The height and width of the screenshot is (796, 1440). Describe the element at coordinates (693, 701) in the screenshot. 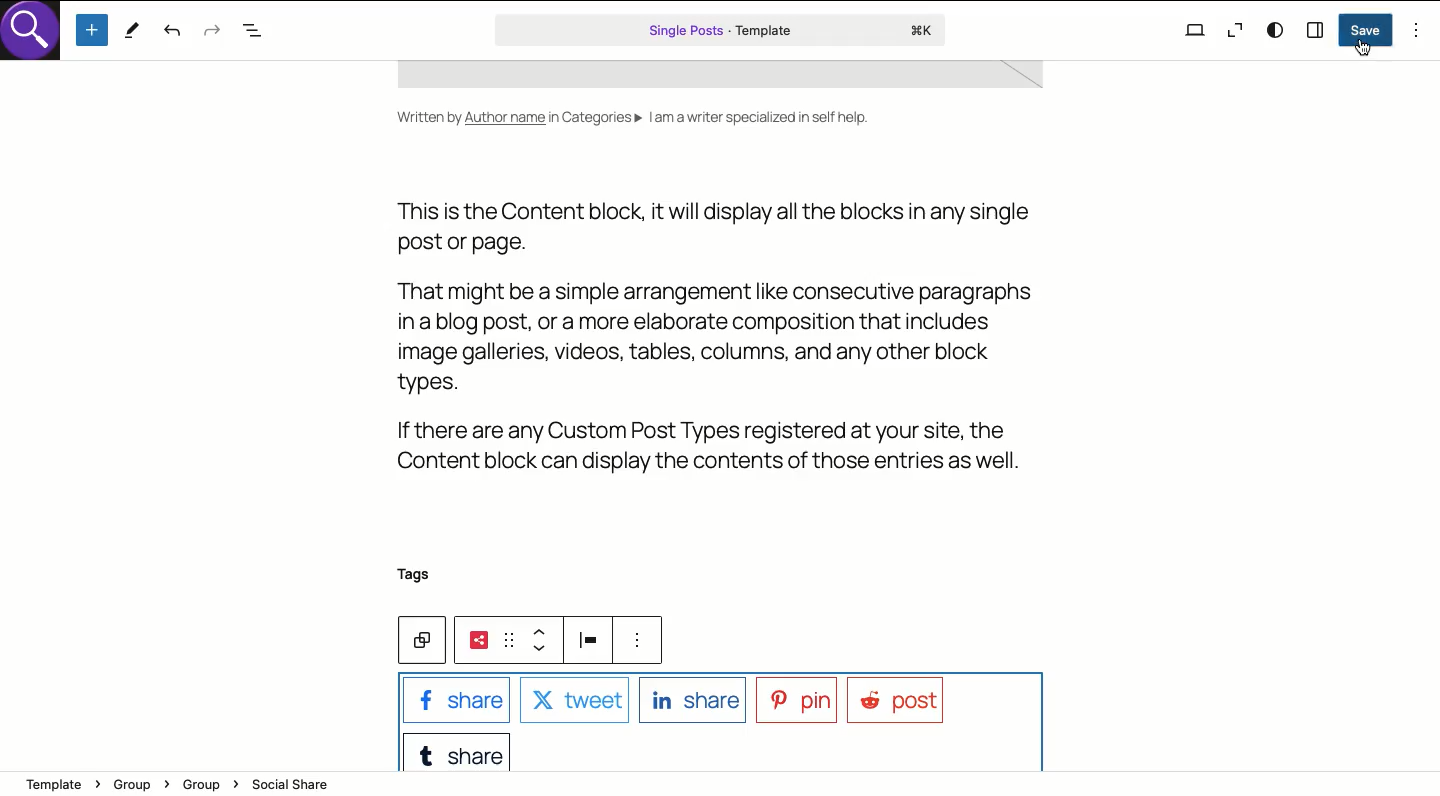

I see `Linkedin` at that location.